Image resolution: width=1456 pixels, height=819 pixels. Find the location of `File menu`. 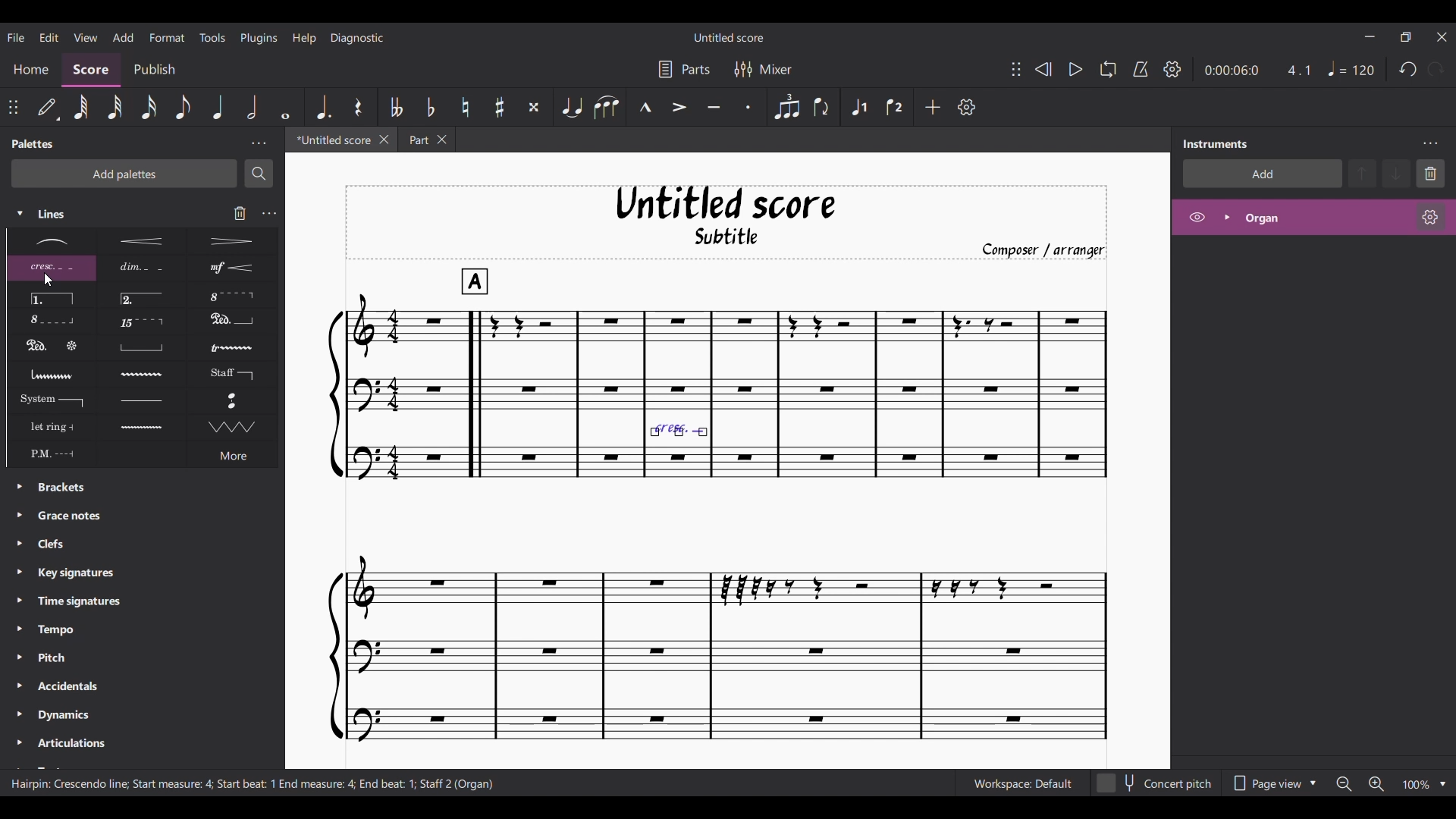

File menu is located at coordinates (16, 36).